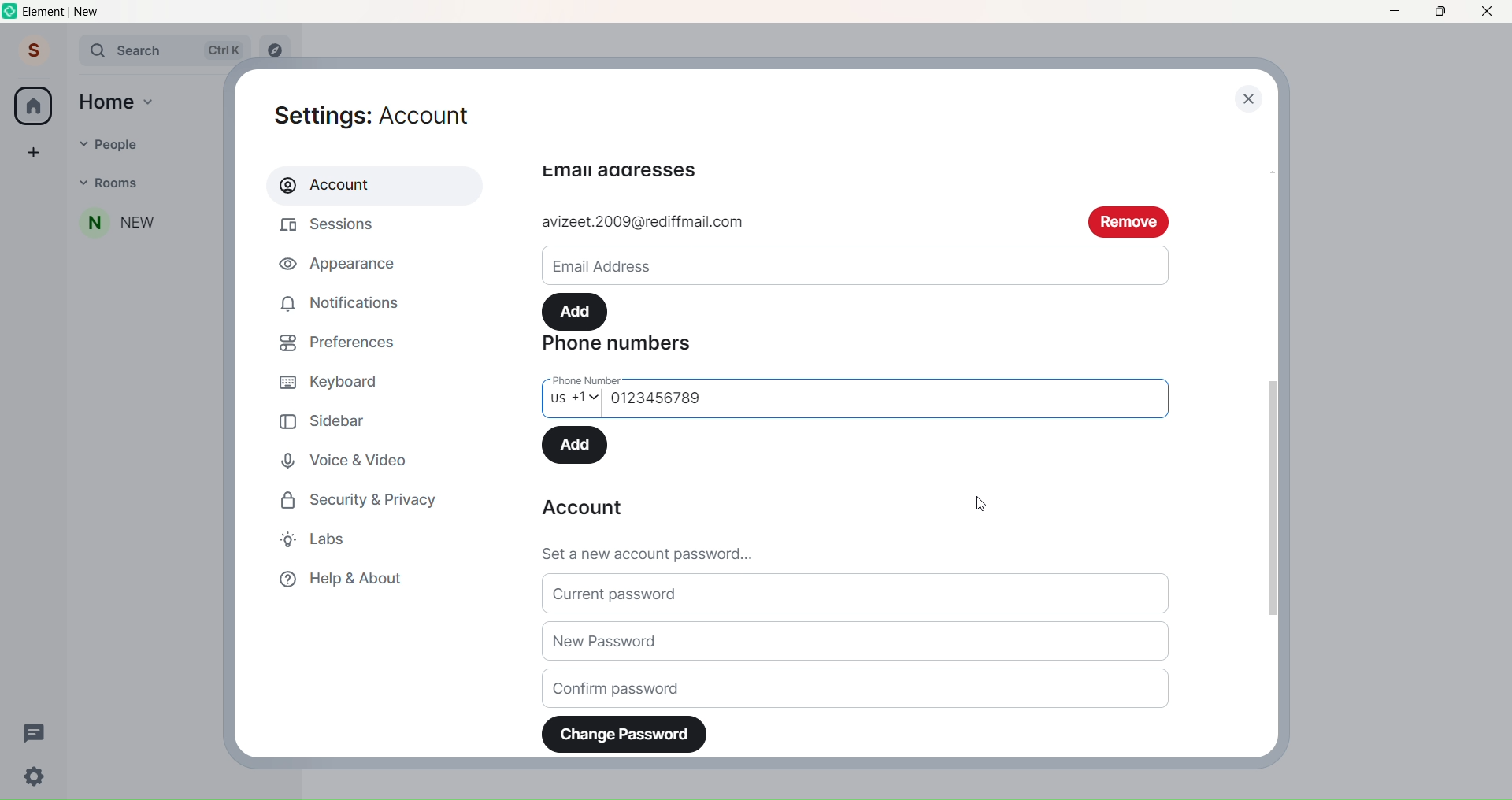 This screenshot has height=800, width=1512. What do you see at coordinates (577, 444) in the screenshot?
I see `Add` at bounding box center [577, 444].